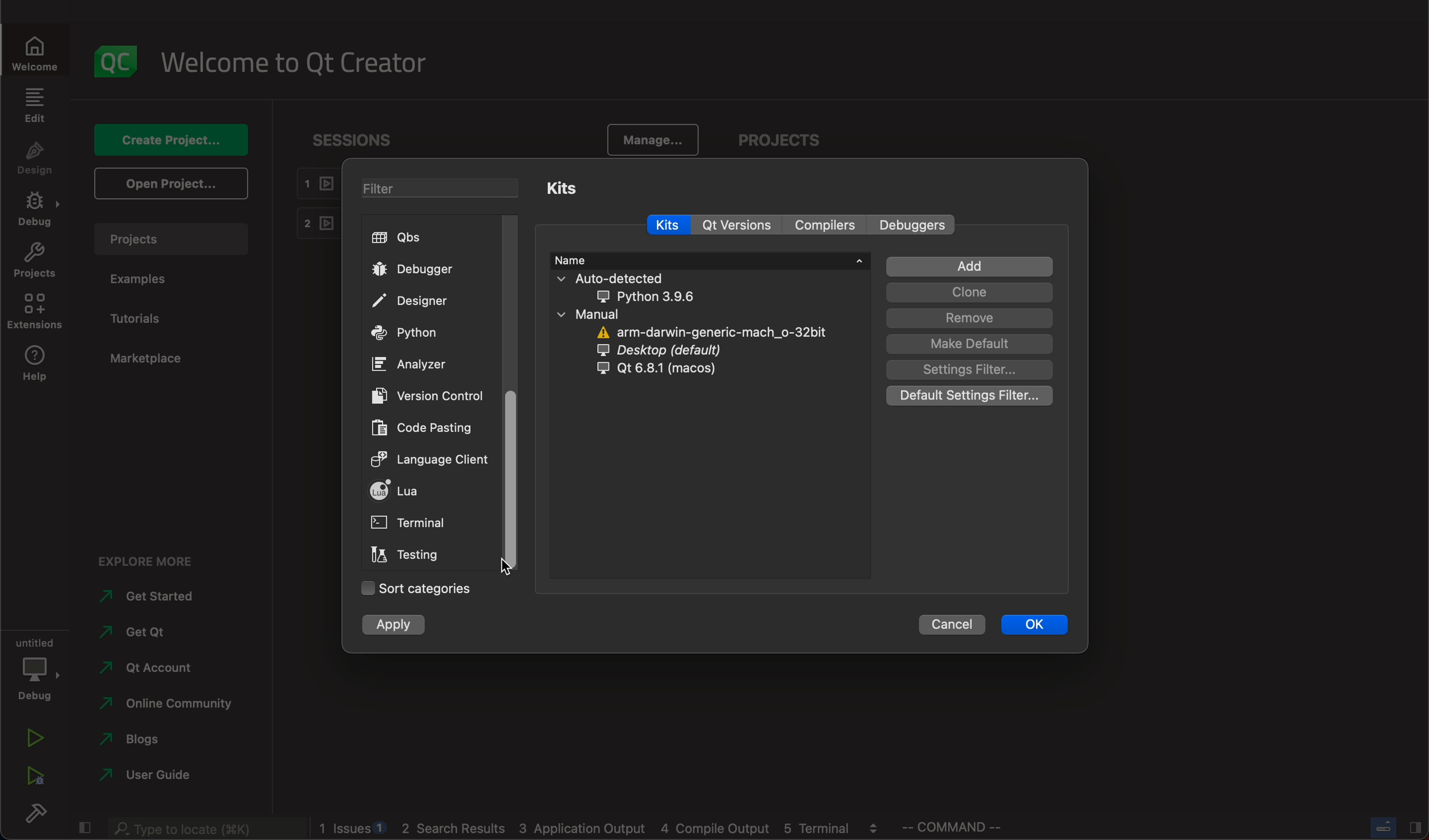 Image resolution: width=1429 pixels, height=840 pixels. Describe the element at coordinates (441, 188) in the screenshot. I see `filters` at that location.